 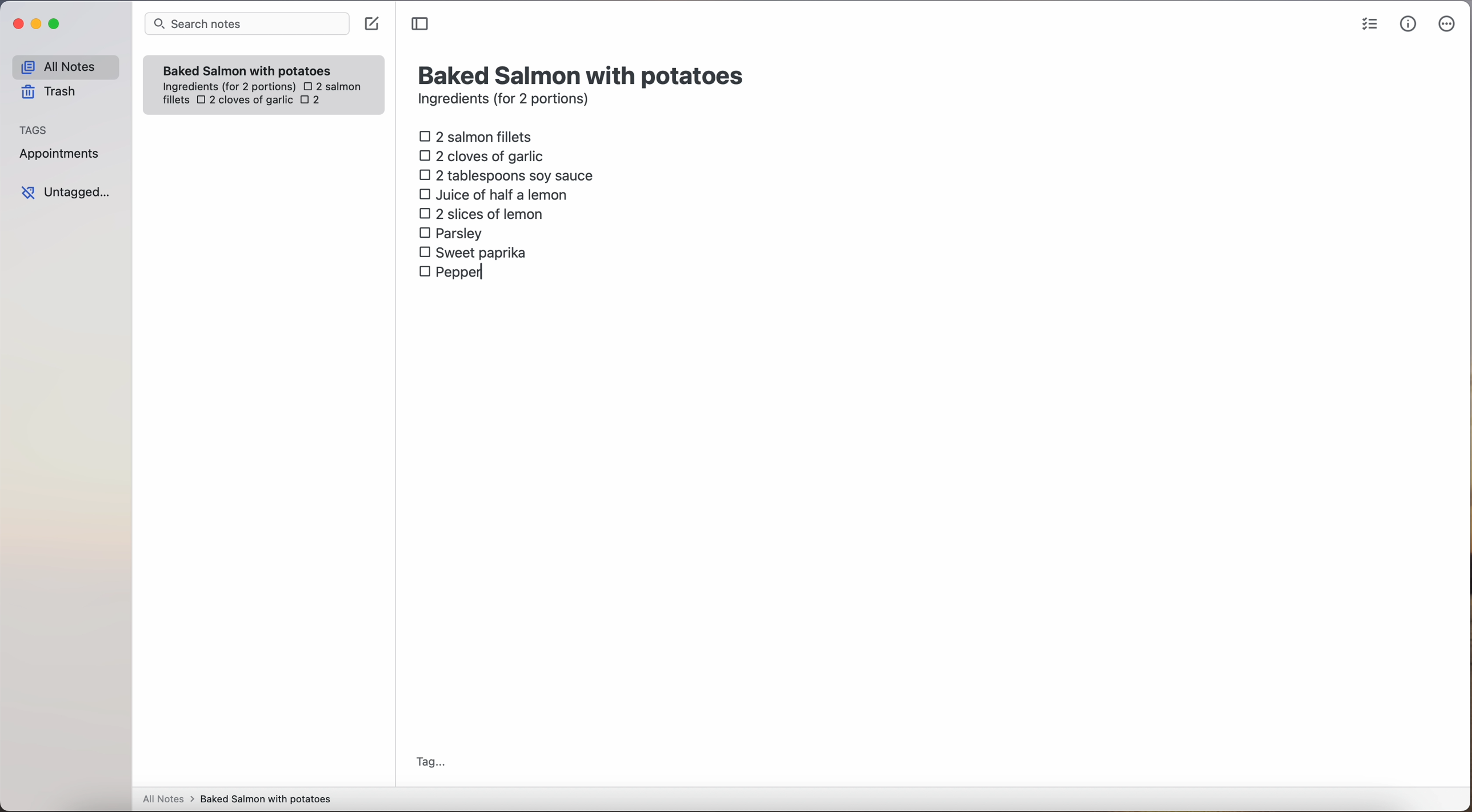 I want to click on 2 slices of lemon, so click(x=482, y=214).